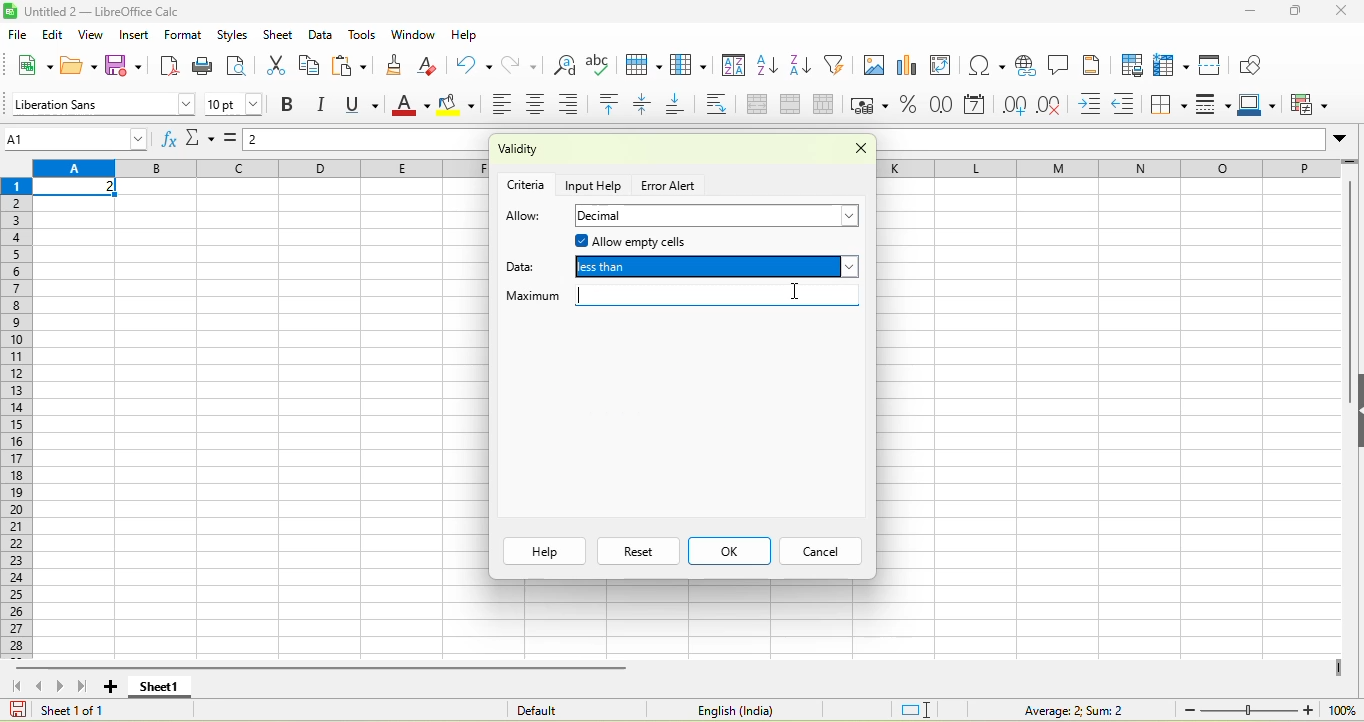  What do you see at coordinates (169, 139) in the screenshot?
I see `function wizard` at bounding box center [169, 139].